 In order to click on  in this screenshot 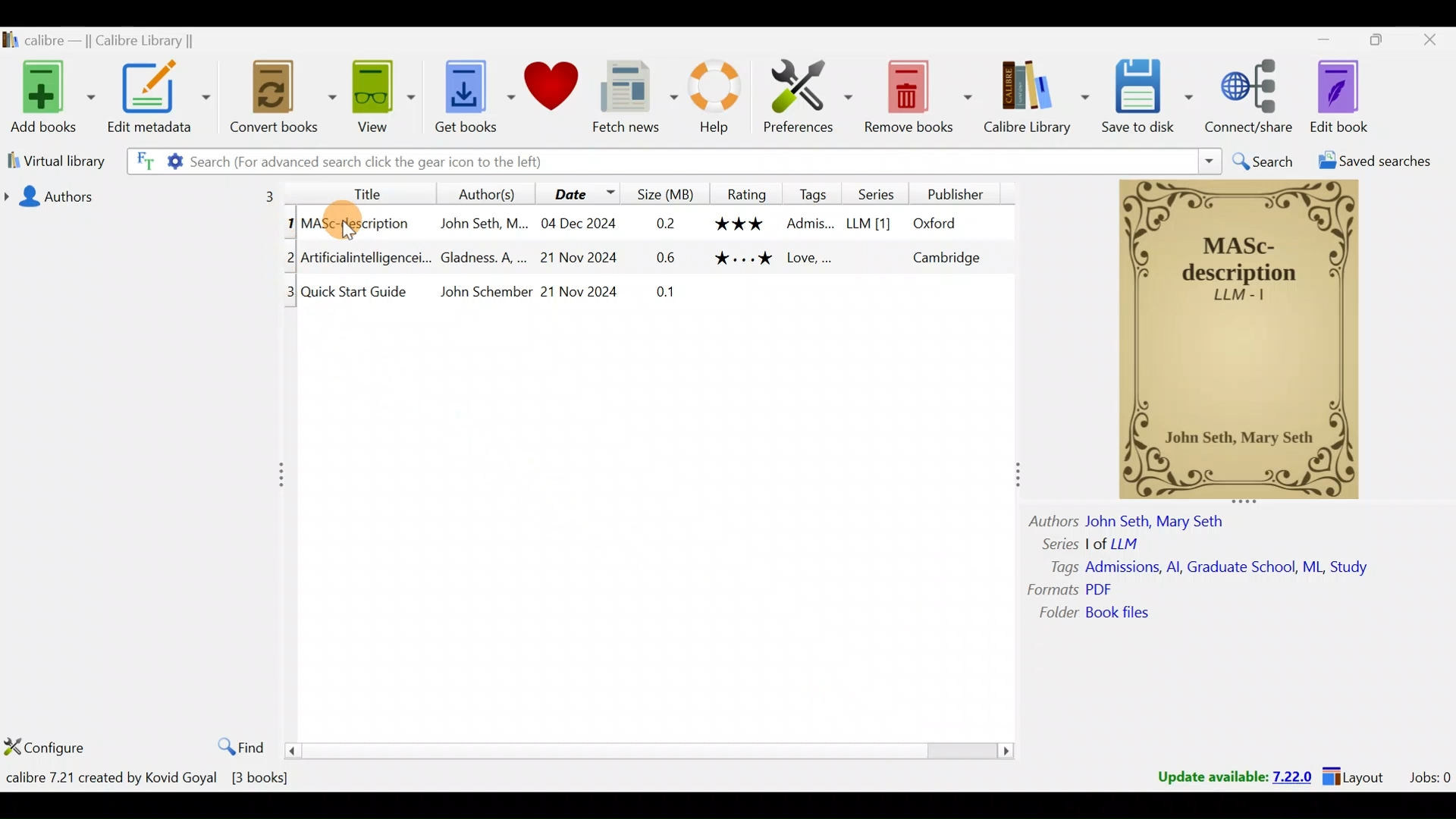, I will do `click(668, 256)`.